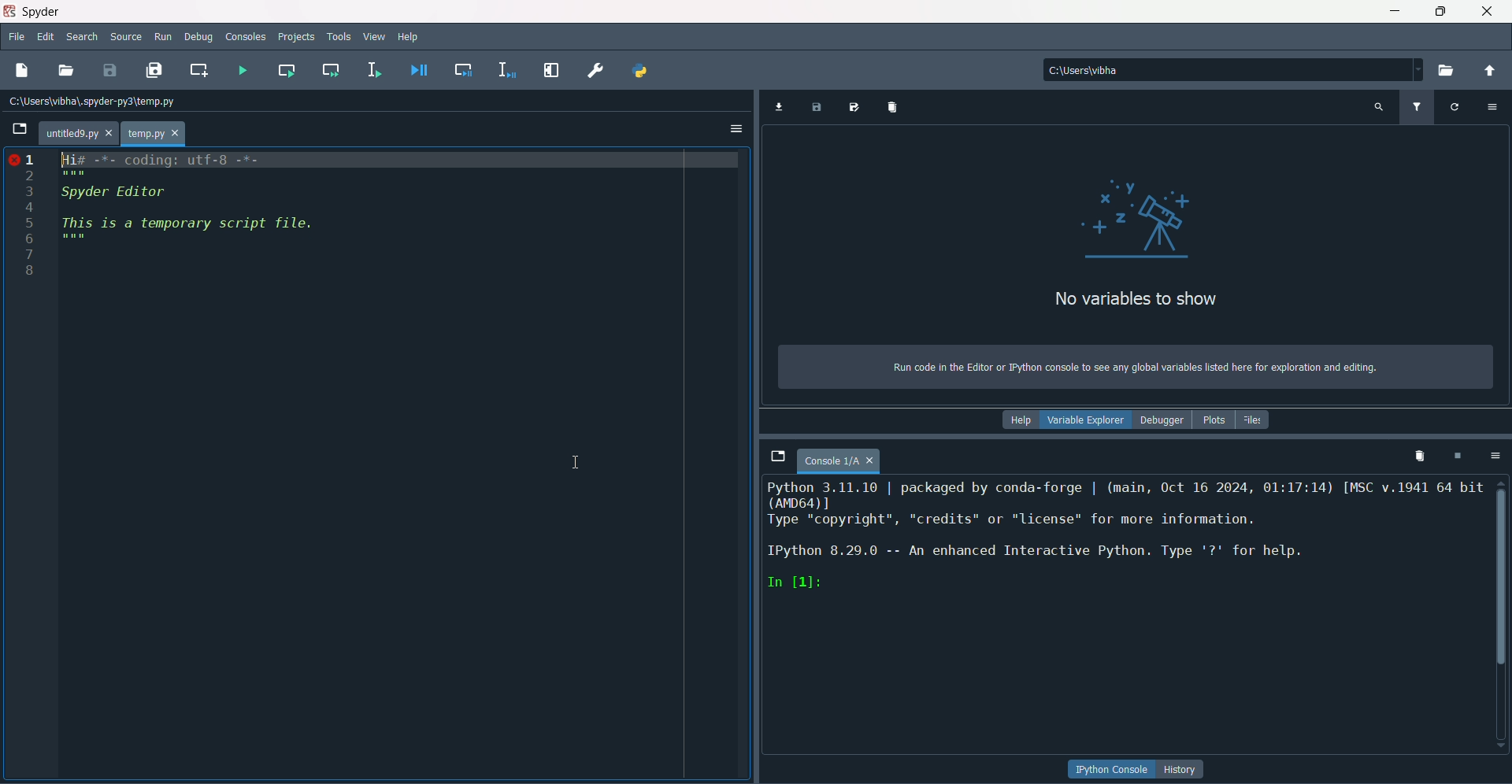  Describe the element at coordinates (420, 69) in the screenshot. I see `debug file` at that location.